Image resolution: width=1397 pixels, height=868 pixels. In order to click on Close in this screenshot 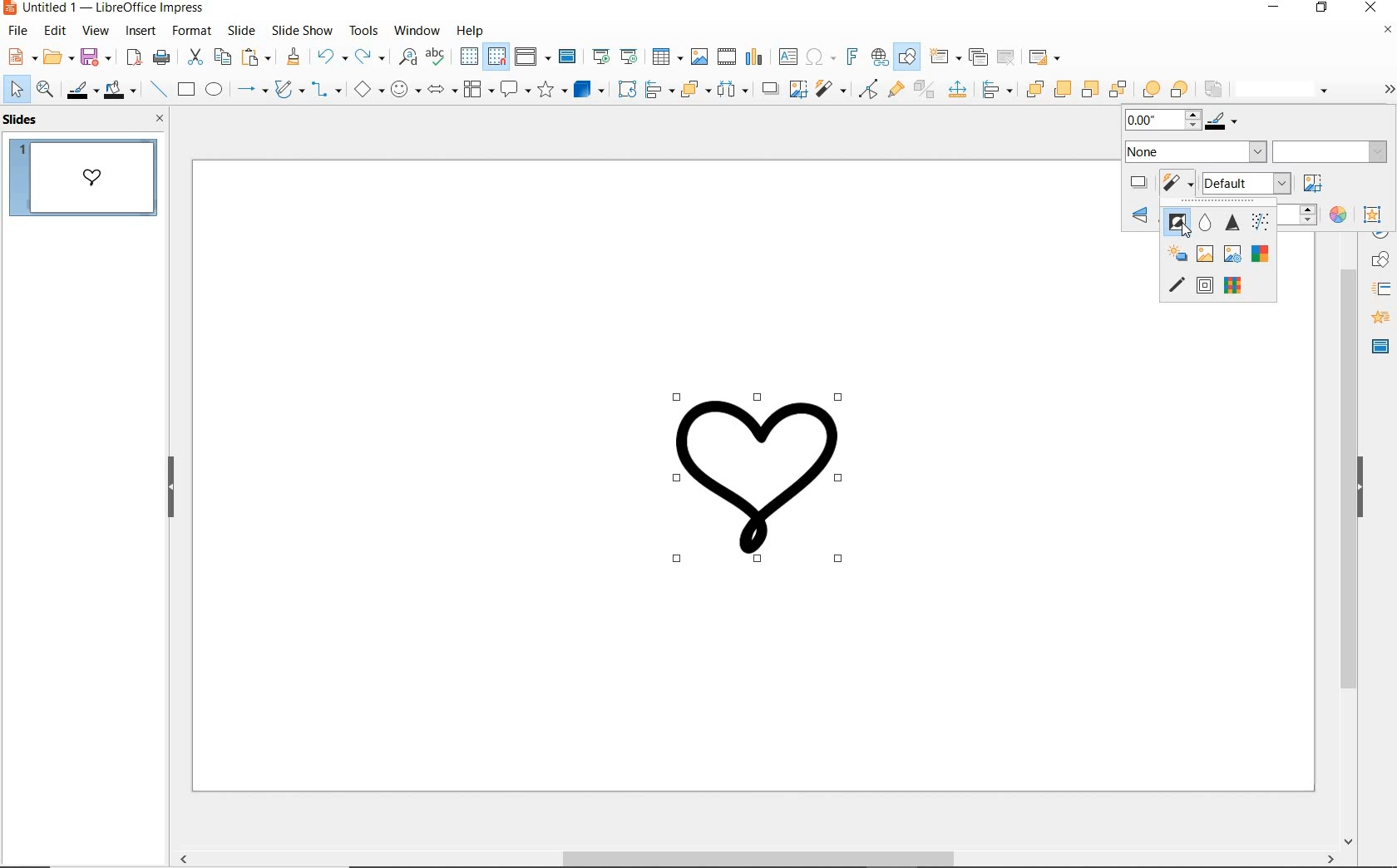, I will do `click(1387, 30)`.